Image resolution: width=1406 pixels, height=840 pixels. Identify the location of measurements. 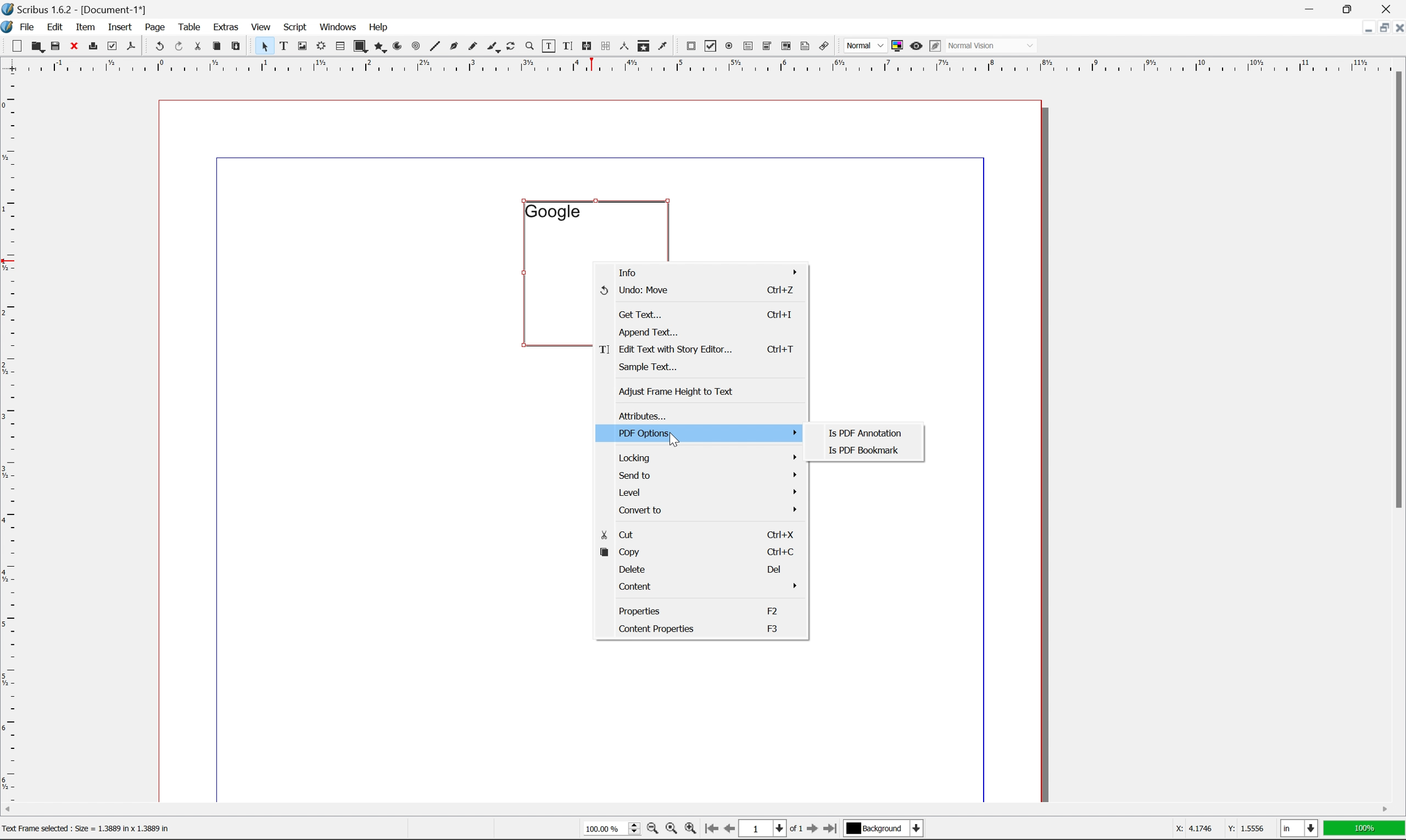
(623, 46).